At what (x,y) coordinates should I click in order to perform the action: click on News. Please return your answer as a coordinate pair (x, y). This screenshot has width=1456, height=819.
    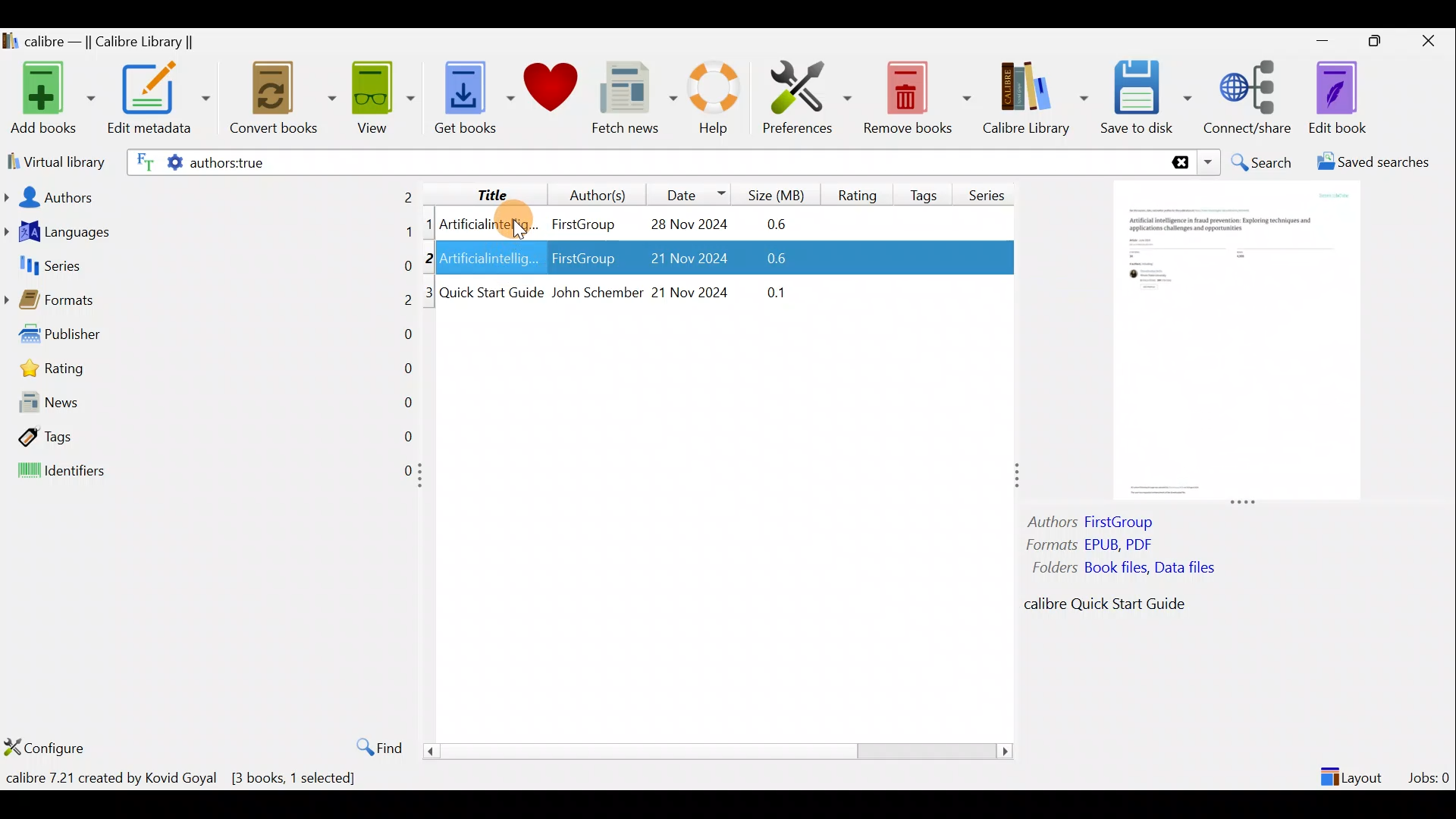
    Looking at the image, I should click on (209, 406).